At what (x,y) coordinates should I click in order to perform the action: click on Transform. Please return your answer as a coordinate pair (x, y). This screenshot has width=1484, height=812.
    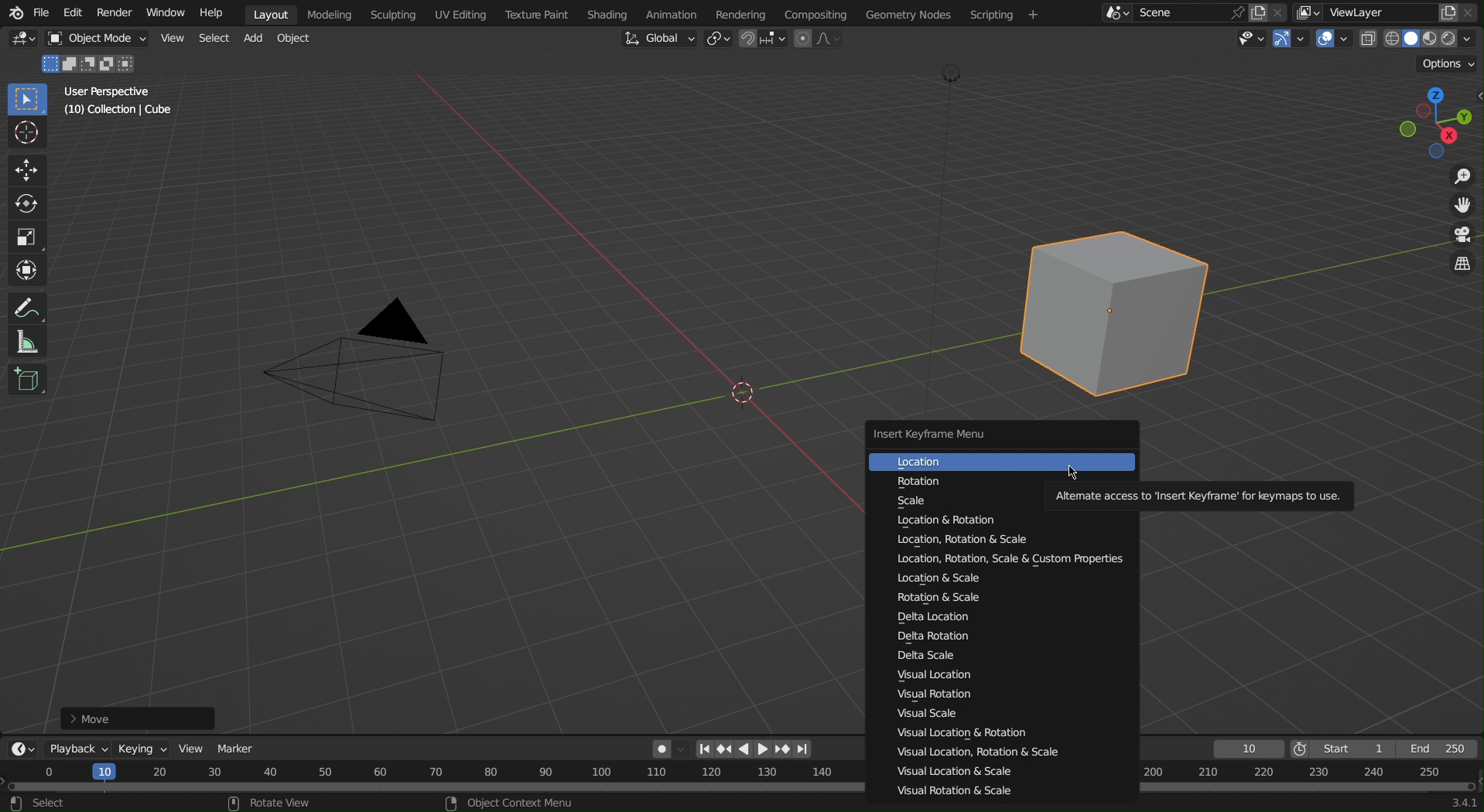
    Looking at the image, I should click on (27, 268).